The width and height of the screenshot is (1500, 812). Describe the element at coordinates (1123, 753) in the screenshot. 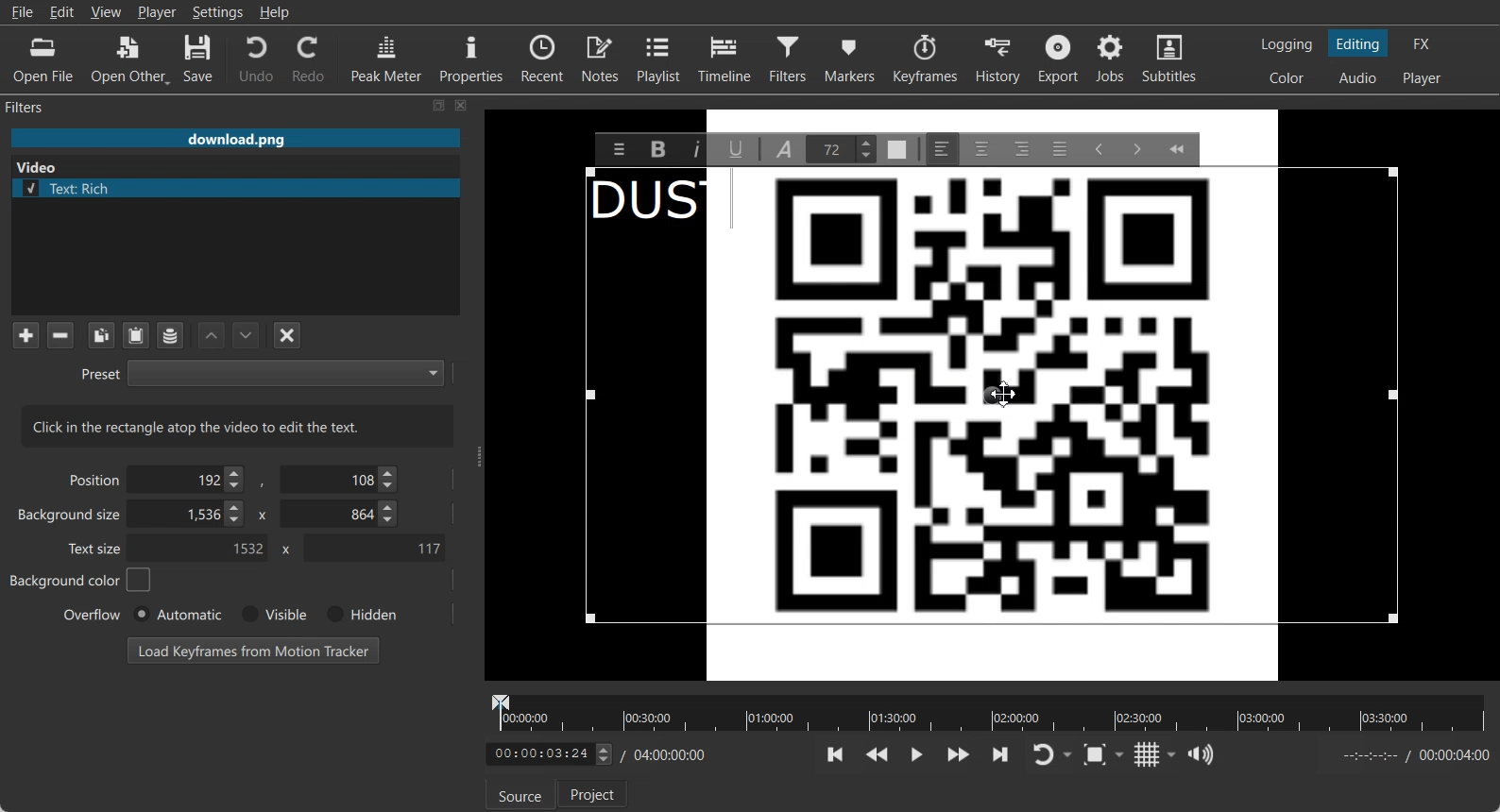

I see `Drop down box` at that location.